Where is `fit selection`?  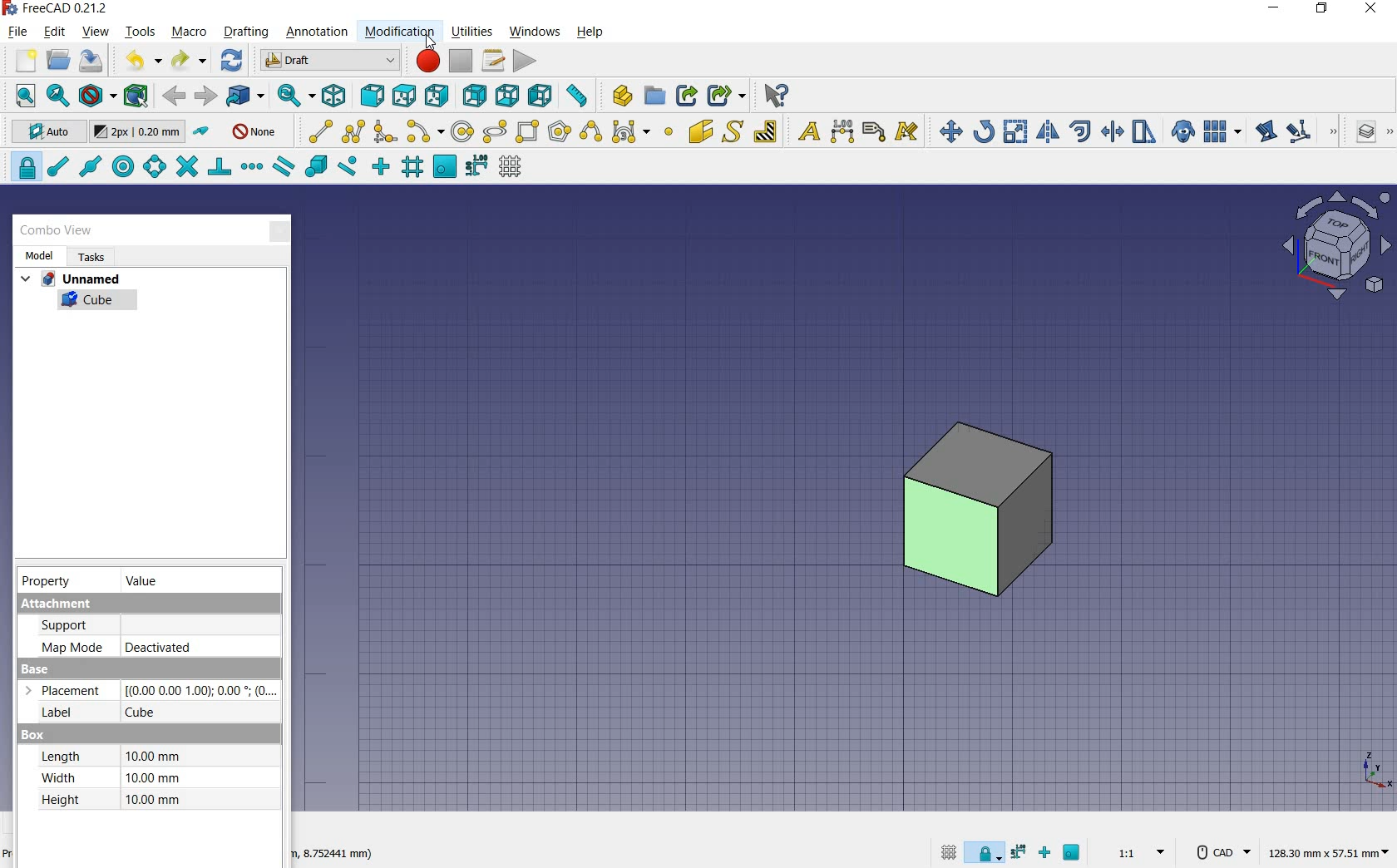
fit selection is located at coordinates (57, 95).